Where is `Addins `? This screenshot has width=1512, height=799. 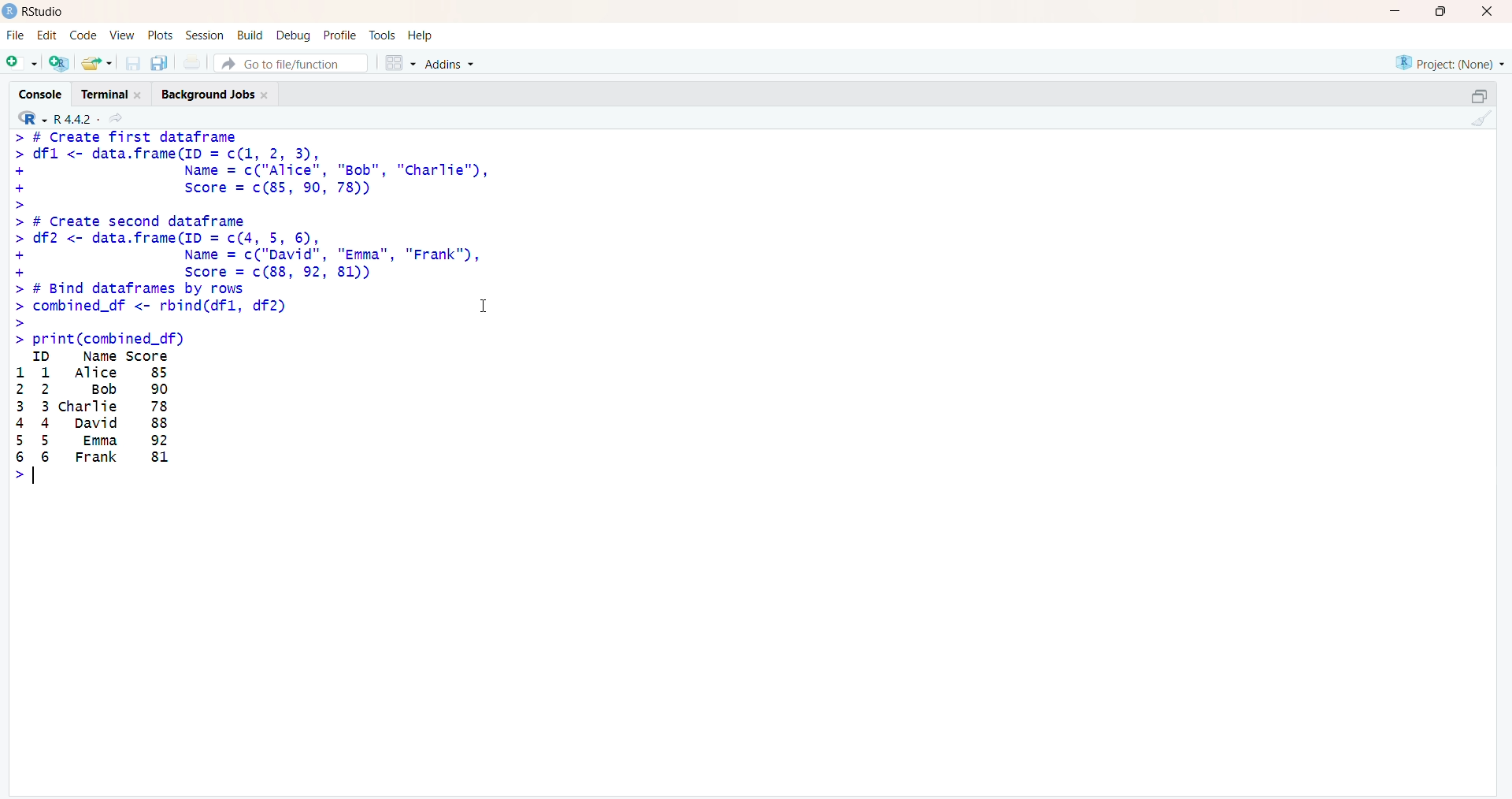 Addins  is located at coordinates (449, 64).